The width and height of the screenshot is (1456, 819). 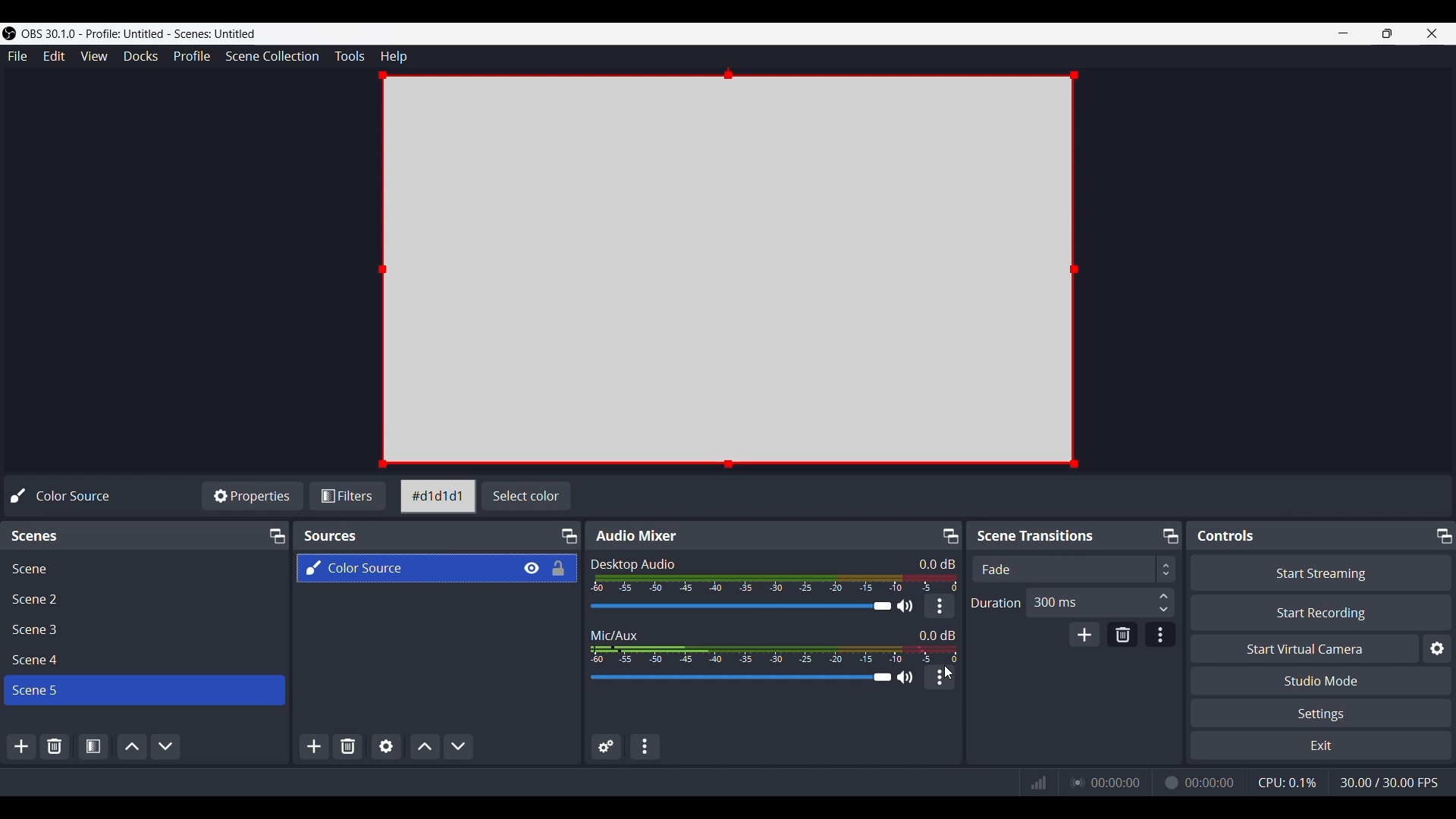 What do you see at coordinates (1117, 782) in the screenshot?
I see `00:00:00` at bounding box center [1117, 782].